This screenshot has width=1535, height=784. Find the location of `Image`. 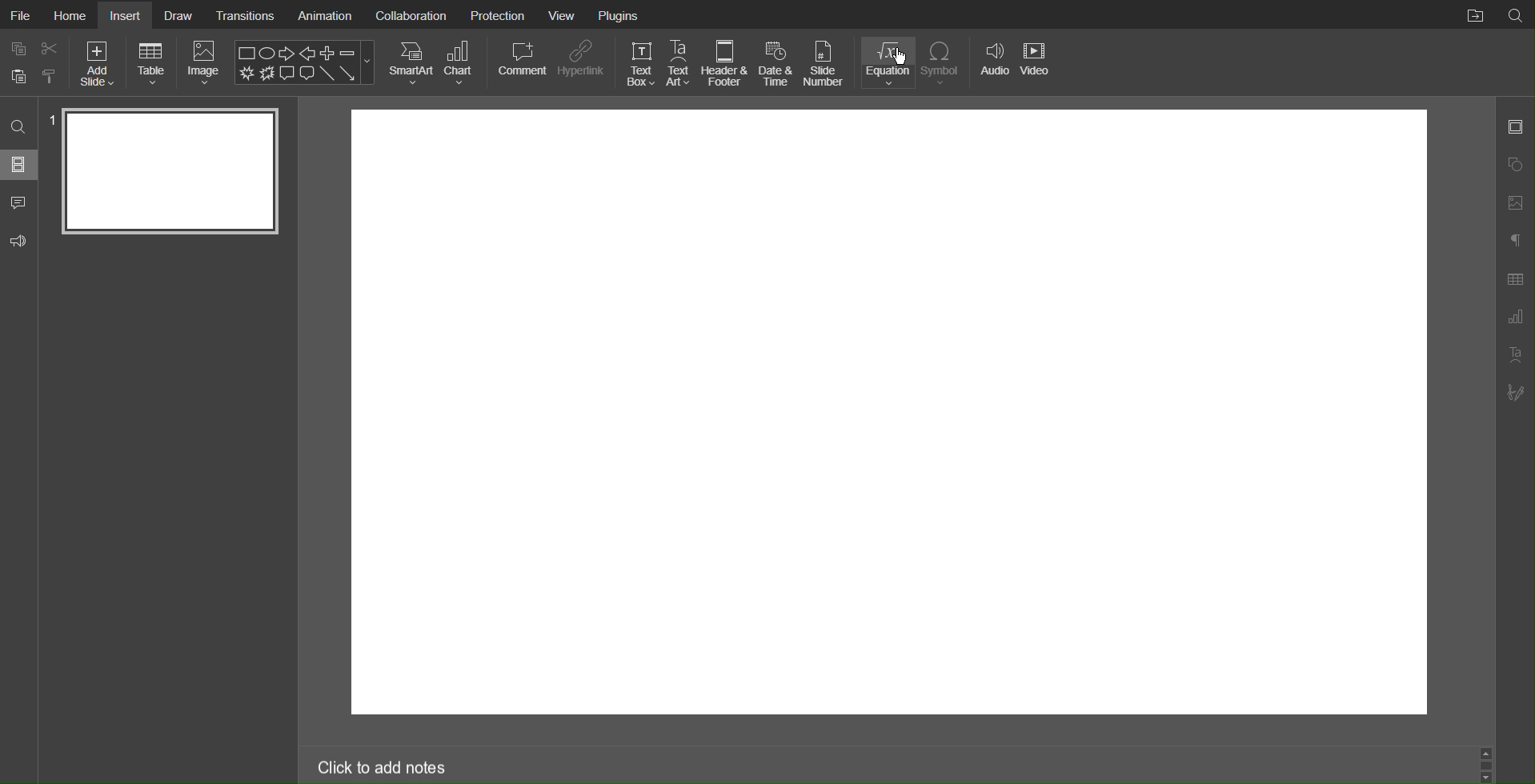

Image is located at coordinates (202, 64).